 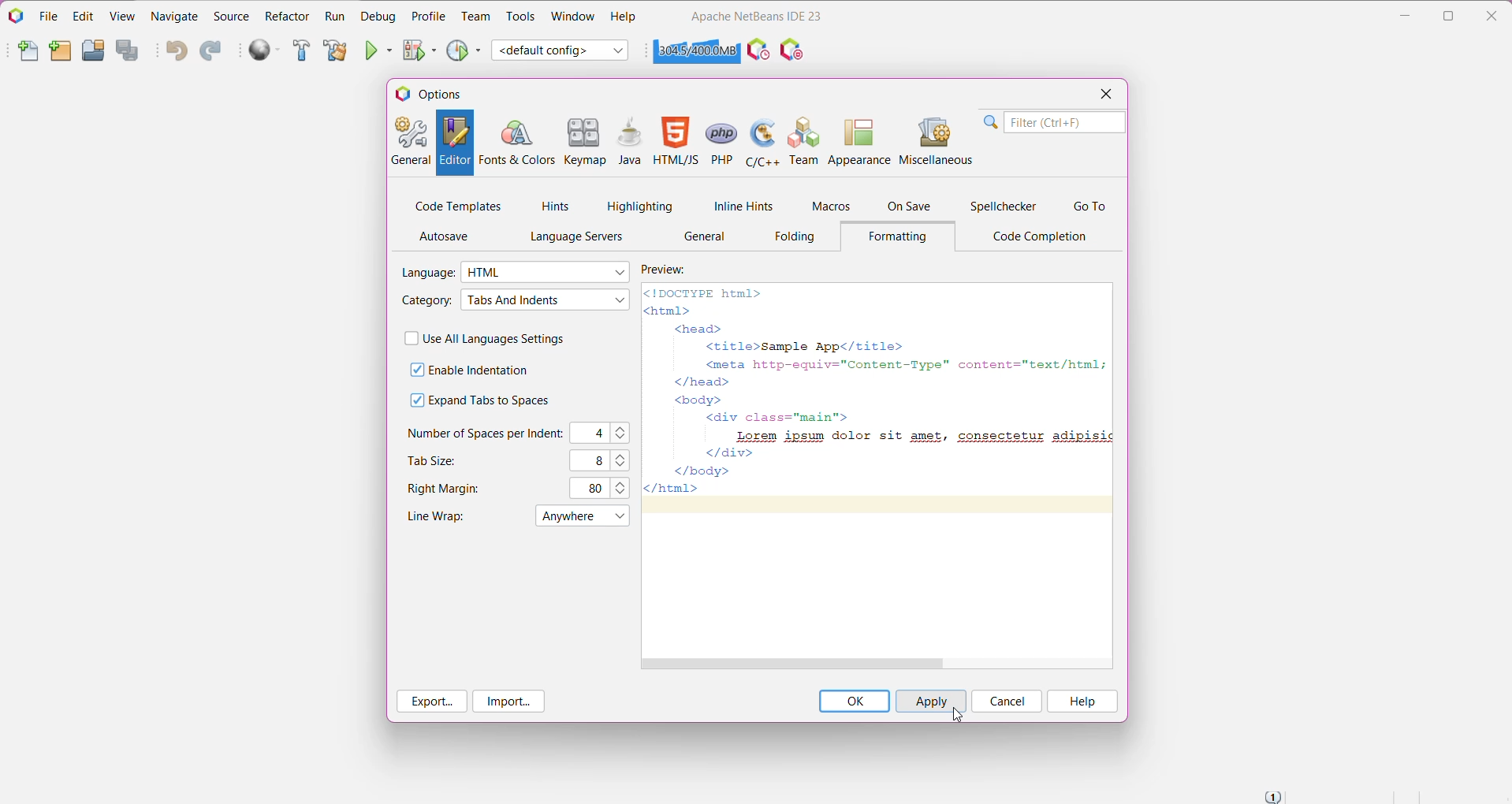 I want to click on Save All, so click(x=130, y=51).